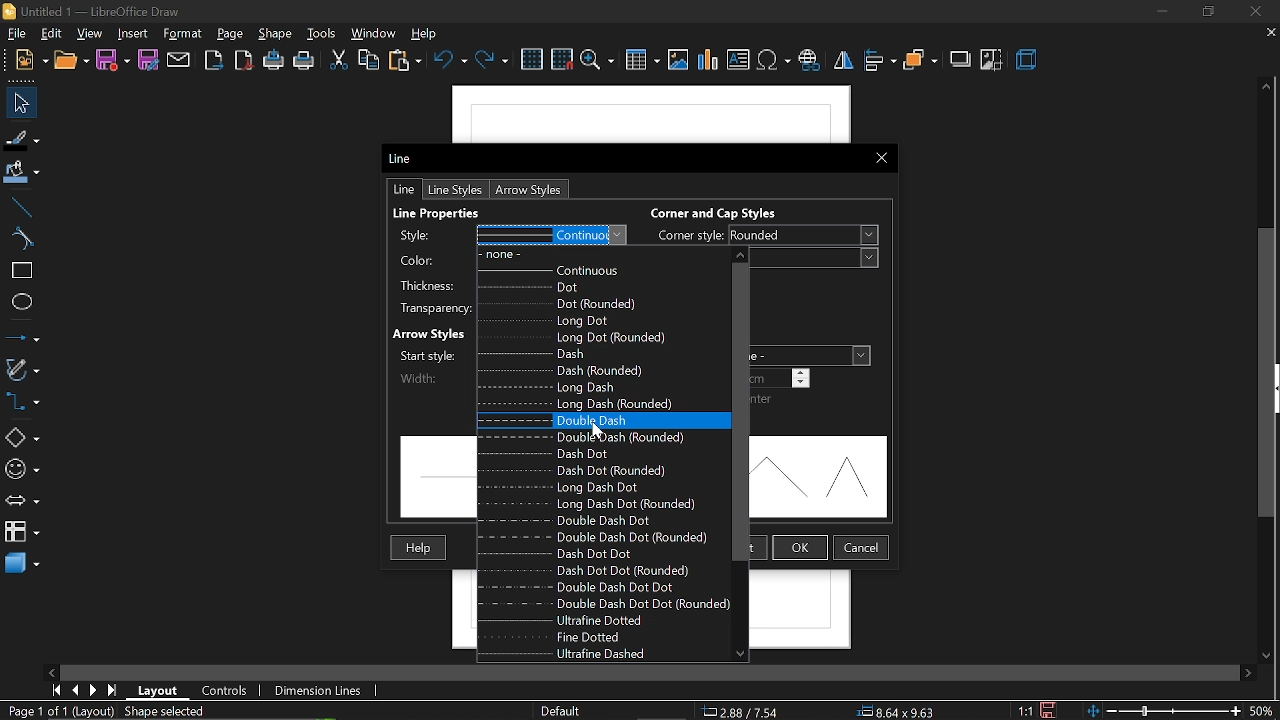  What do you see at coordinates (602, 387) in the screenshot?
I see `Long dash` at bounding box center [602, 387].